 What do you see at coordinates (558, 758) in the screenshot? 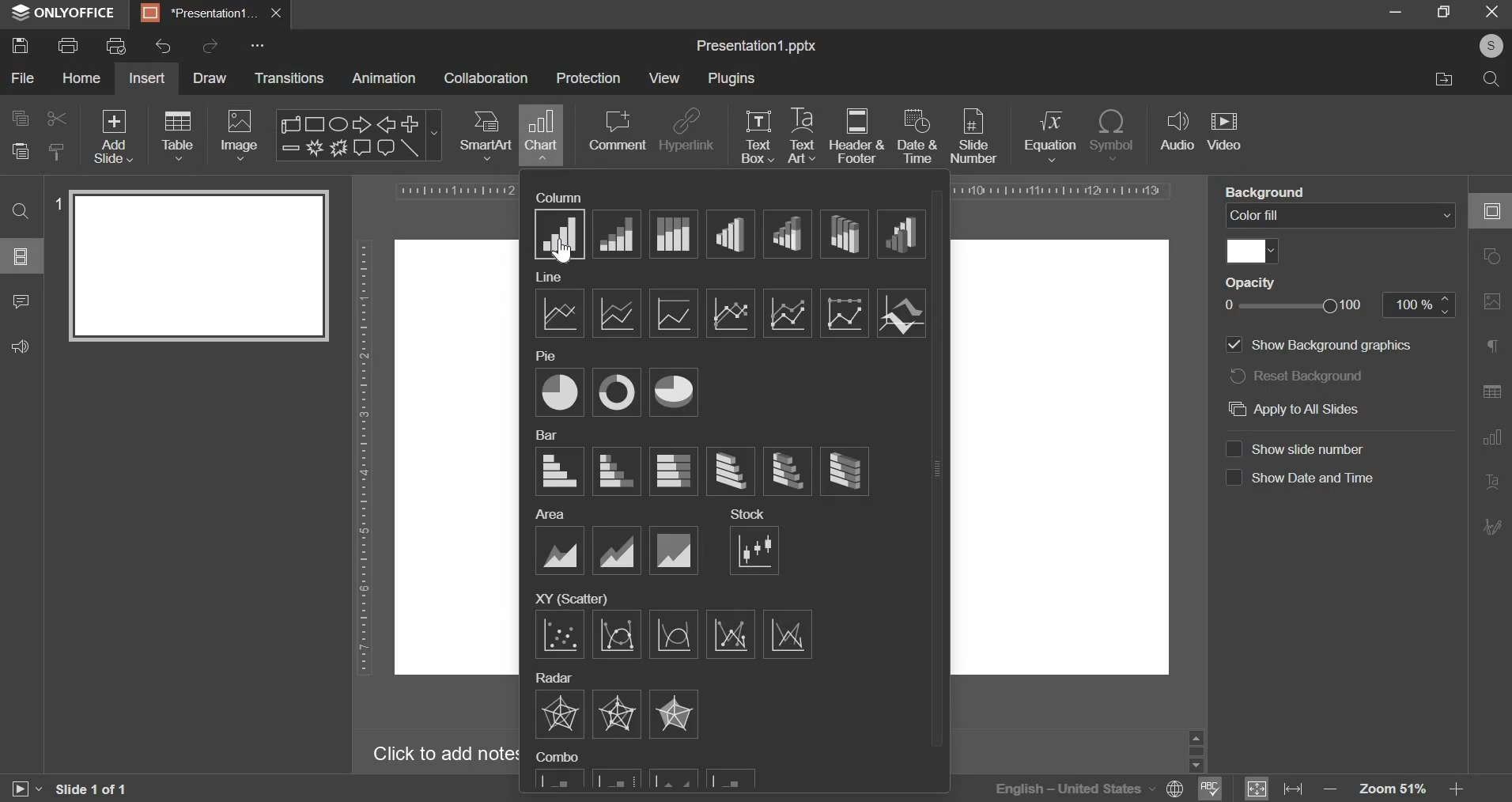
I see `combo` at bounding box center [558, 758].